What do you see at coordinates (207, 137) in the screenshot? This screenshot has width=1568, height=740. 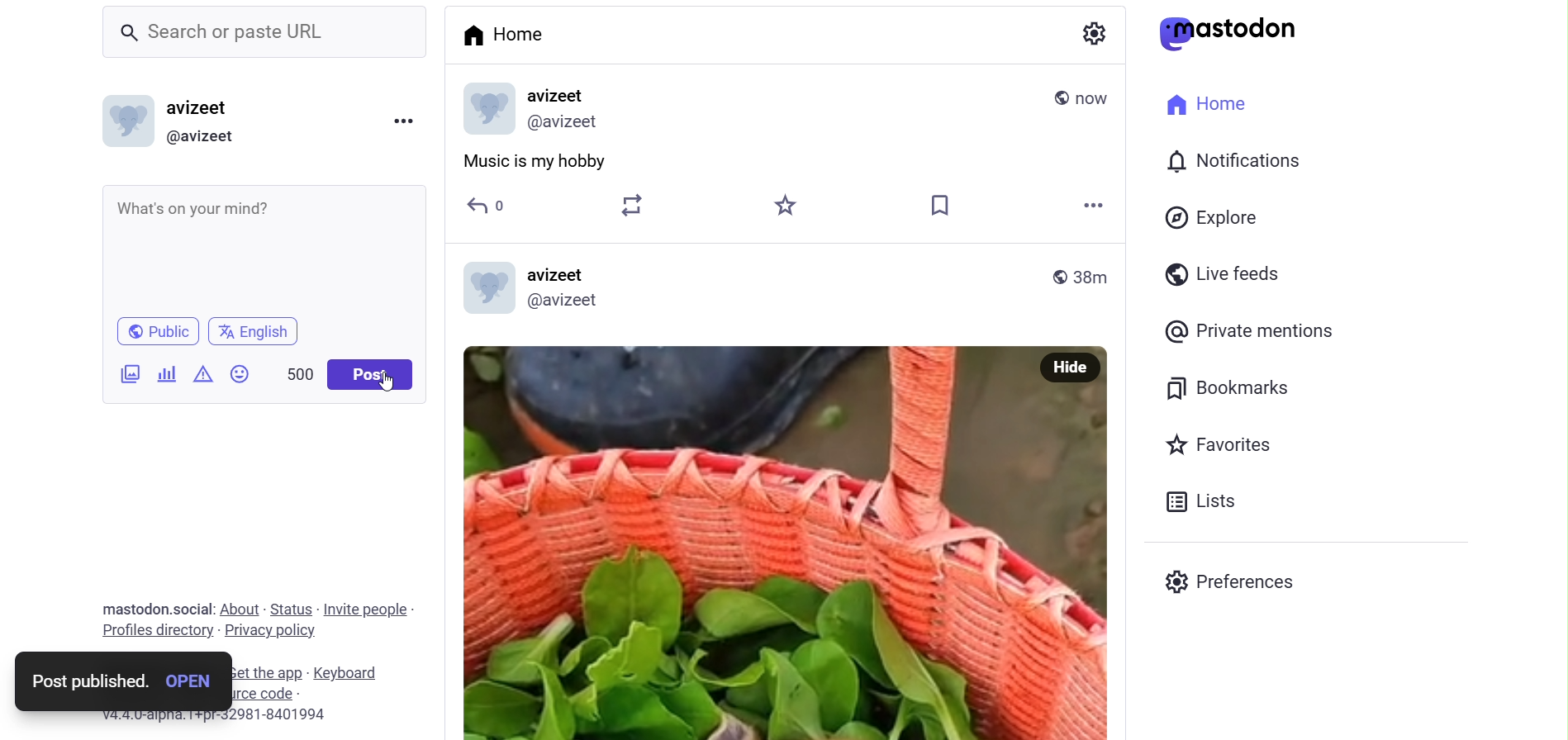 I see `@avizeet` at bounding box center [207, 137].